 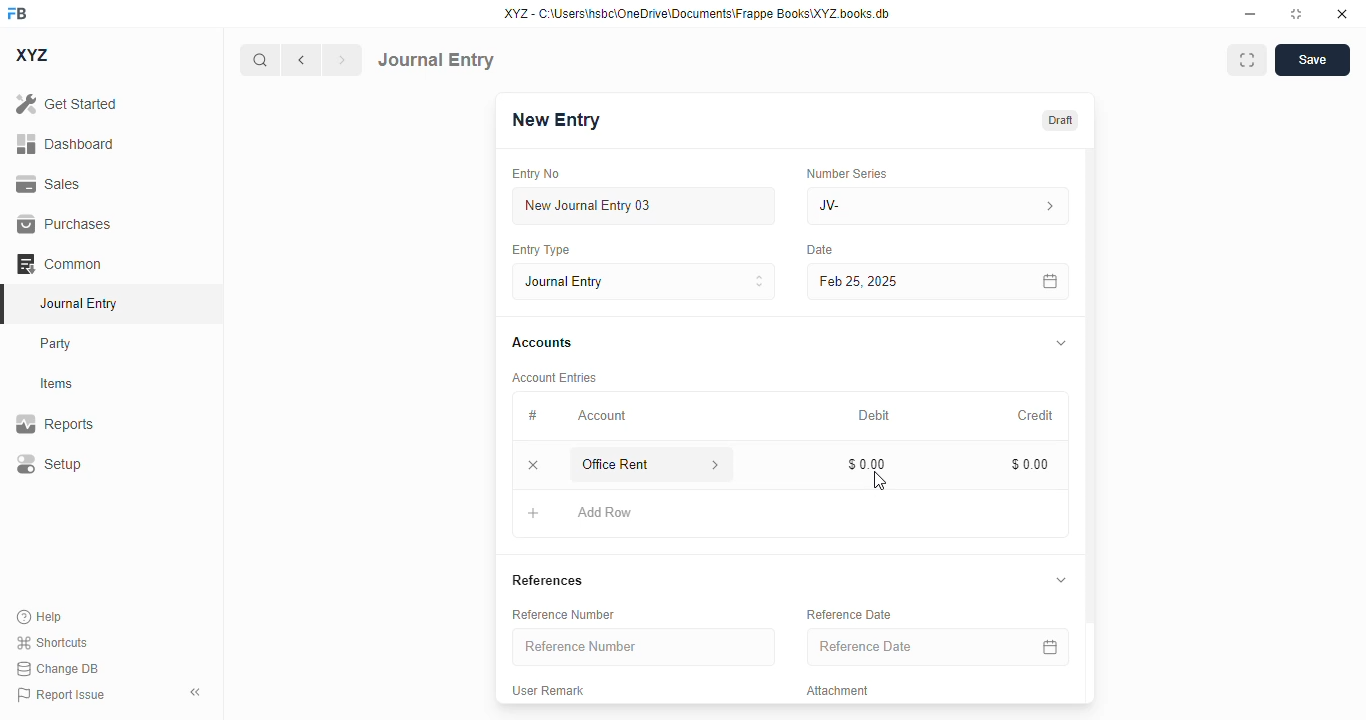 I want to click on search, so click(x=259, y=60).